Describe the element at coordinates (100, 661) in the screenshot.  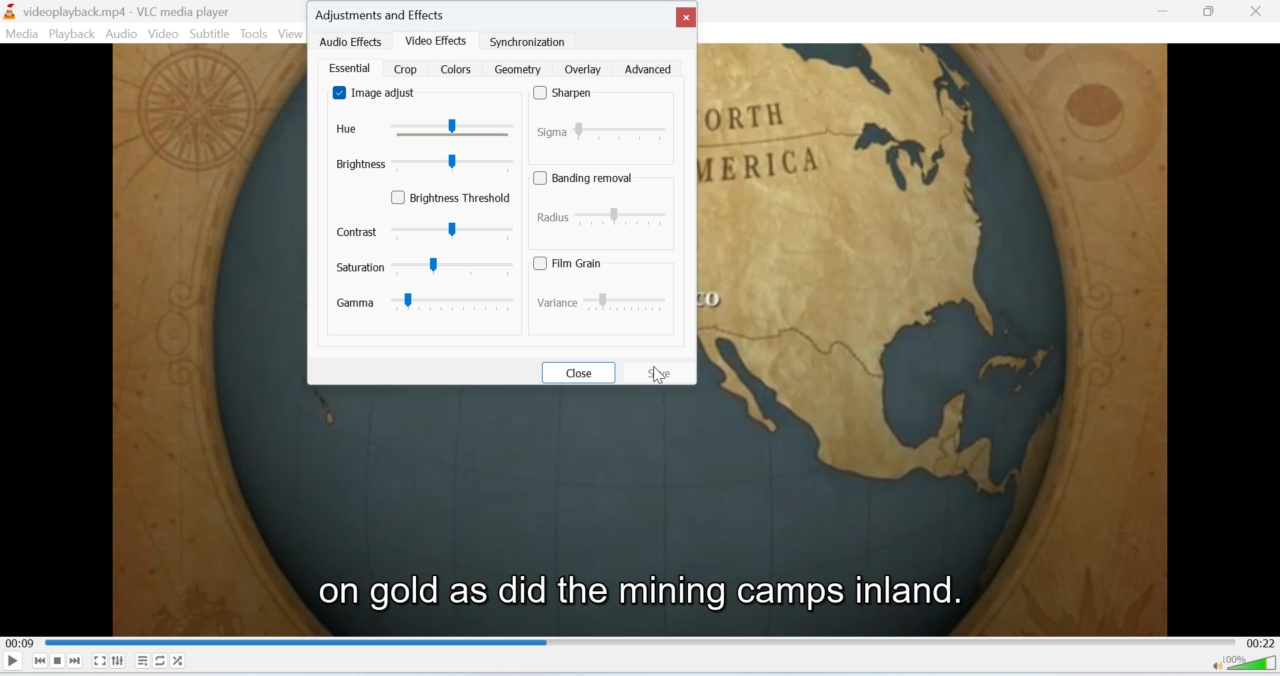
I see `Fullscreen` at that location.